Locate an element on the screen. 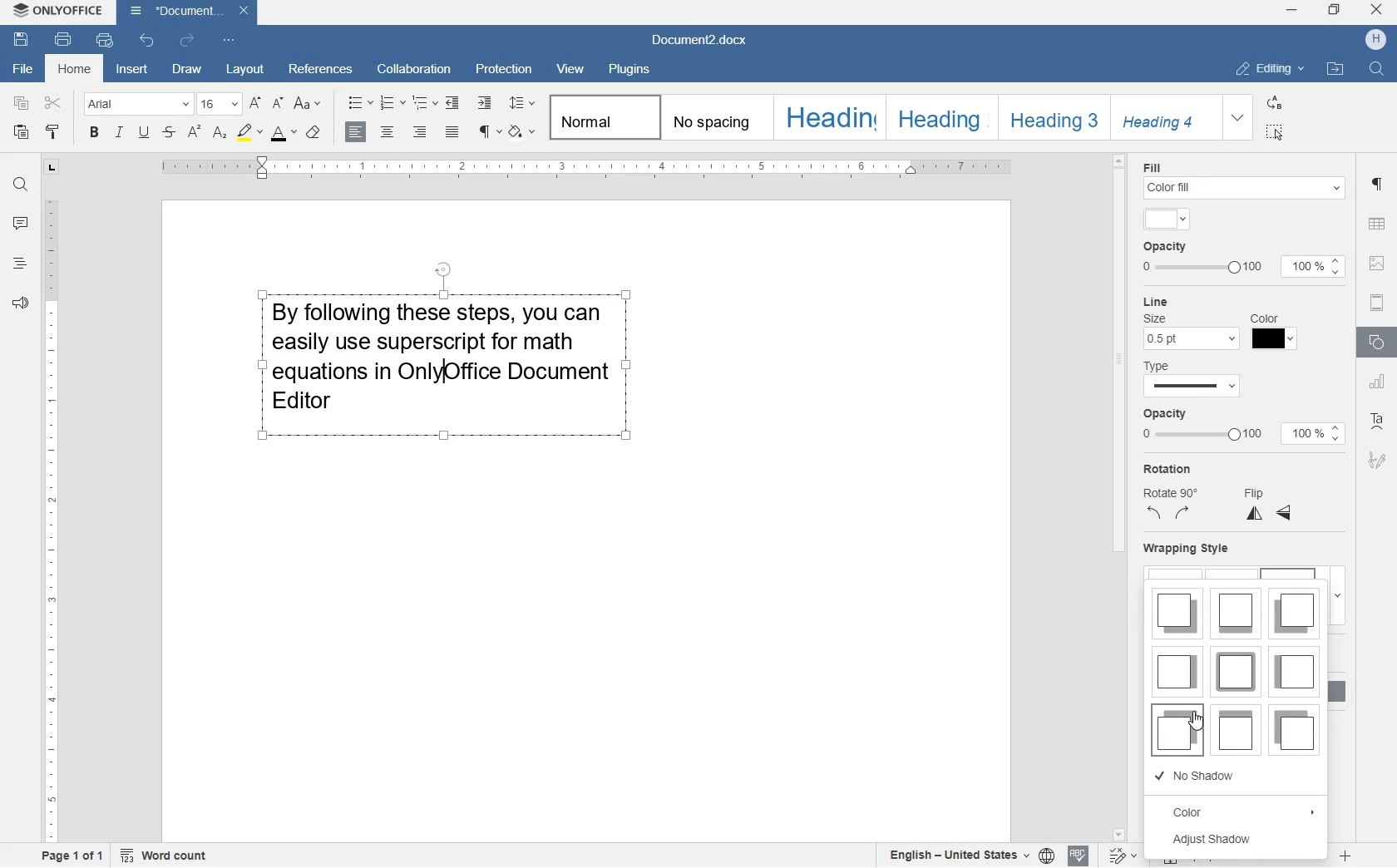  ruler is located at coordinates (50, 520).